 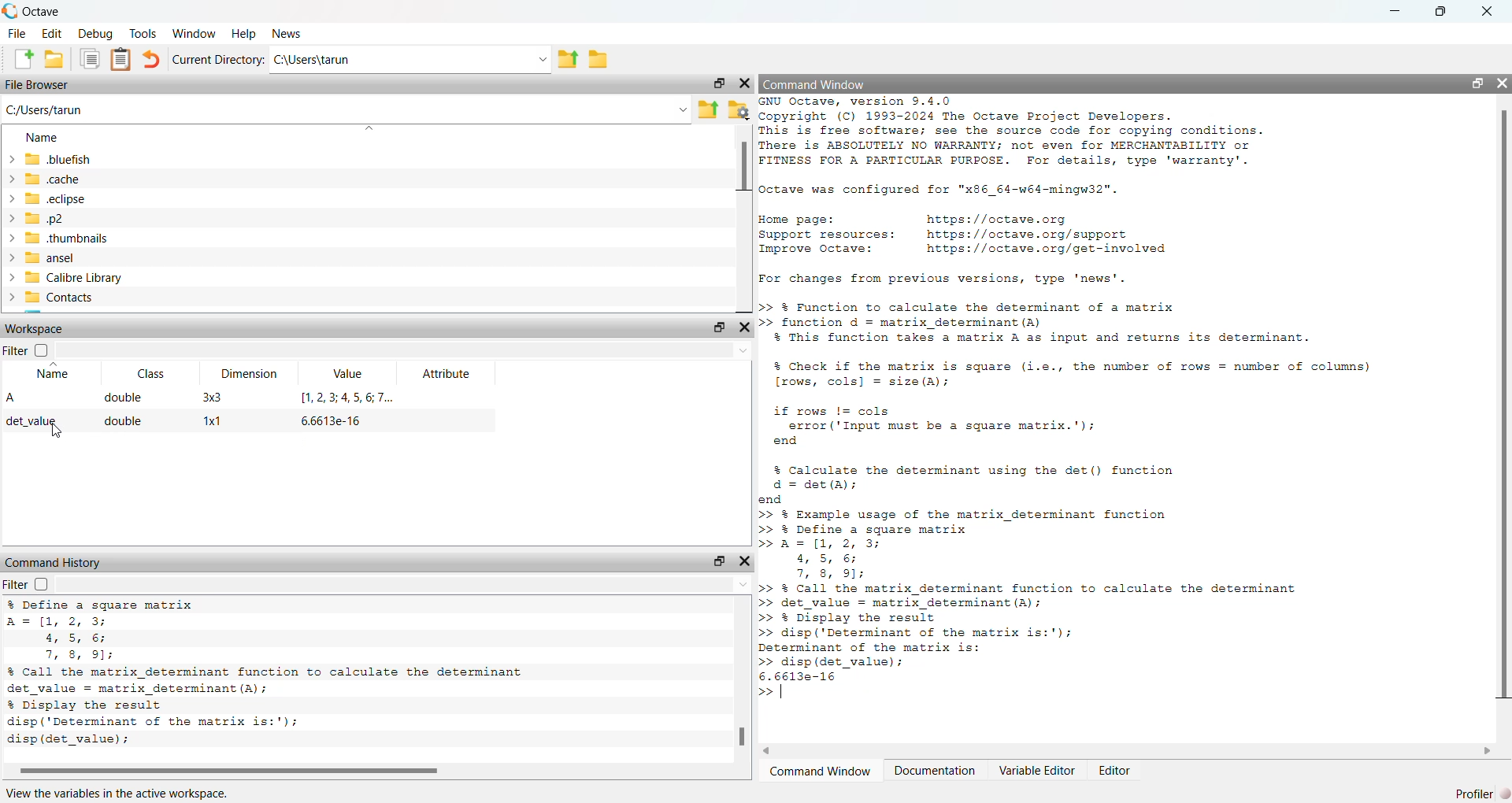 What do you see at coordinates (328, 422) in the screenshot?
I see `6.6613e-16` at bounding box center [328, 422].